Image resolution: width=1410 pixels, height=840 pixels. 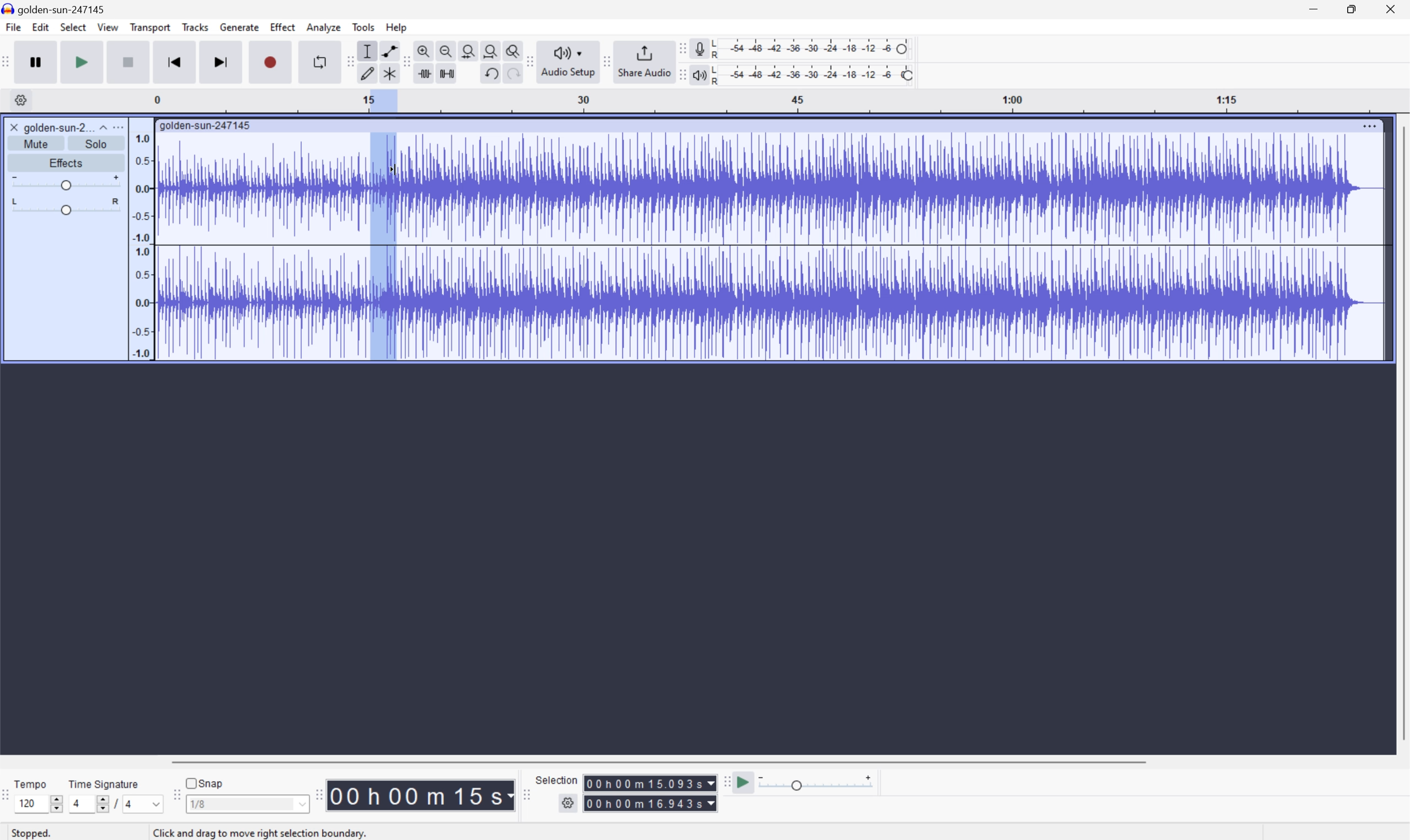 What do you see at coordinates (818, 783) in the screenshot?
I see `Playback speed: 1.000 x` at bounding box center [818, 783].